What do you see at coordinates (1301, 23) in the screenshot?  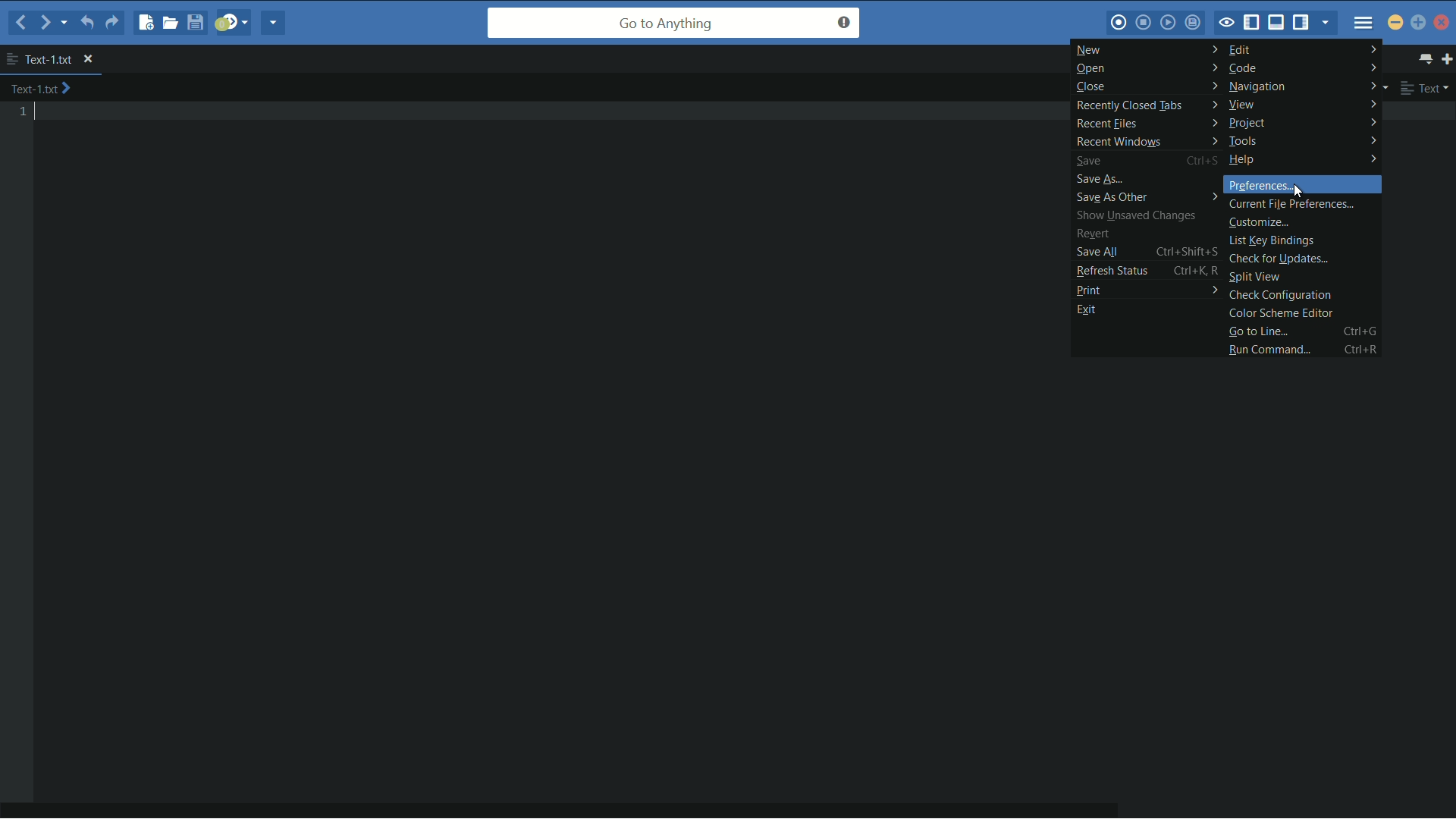 I see `show/hide right panel` at bounding box center [1301, 23].